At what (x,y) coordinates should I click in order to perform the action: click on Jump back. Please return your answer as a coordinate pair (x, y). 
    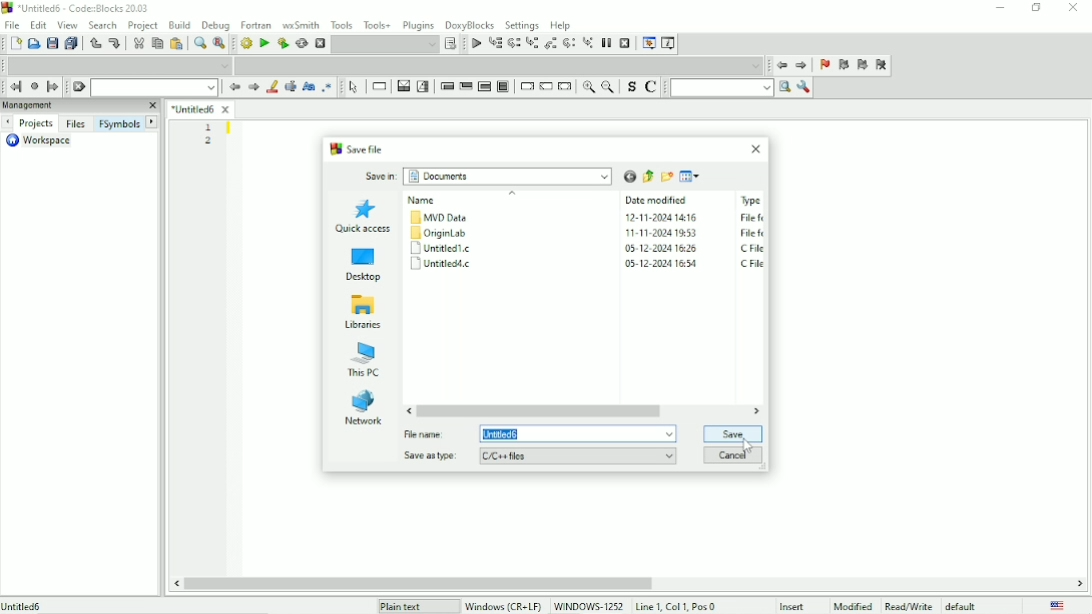
    Looking at the image, I should click on (781, 66).